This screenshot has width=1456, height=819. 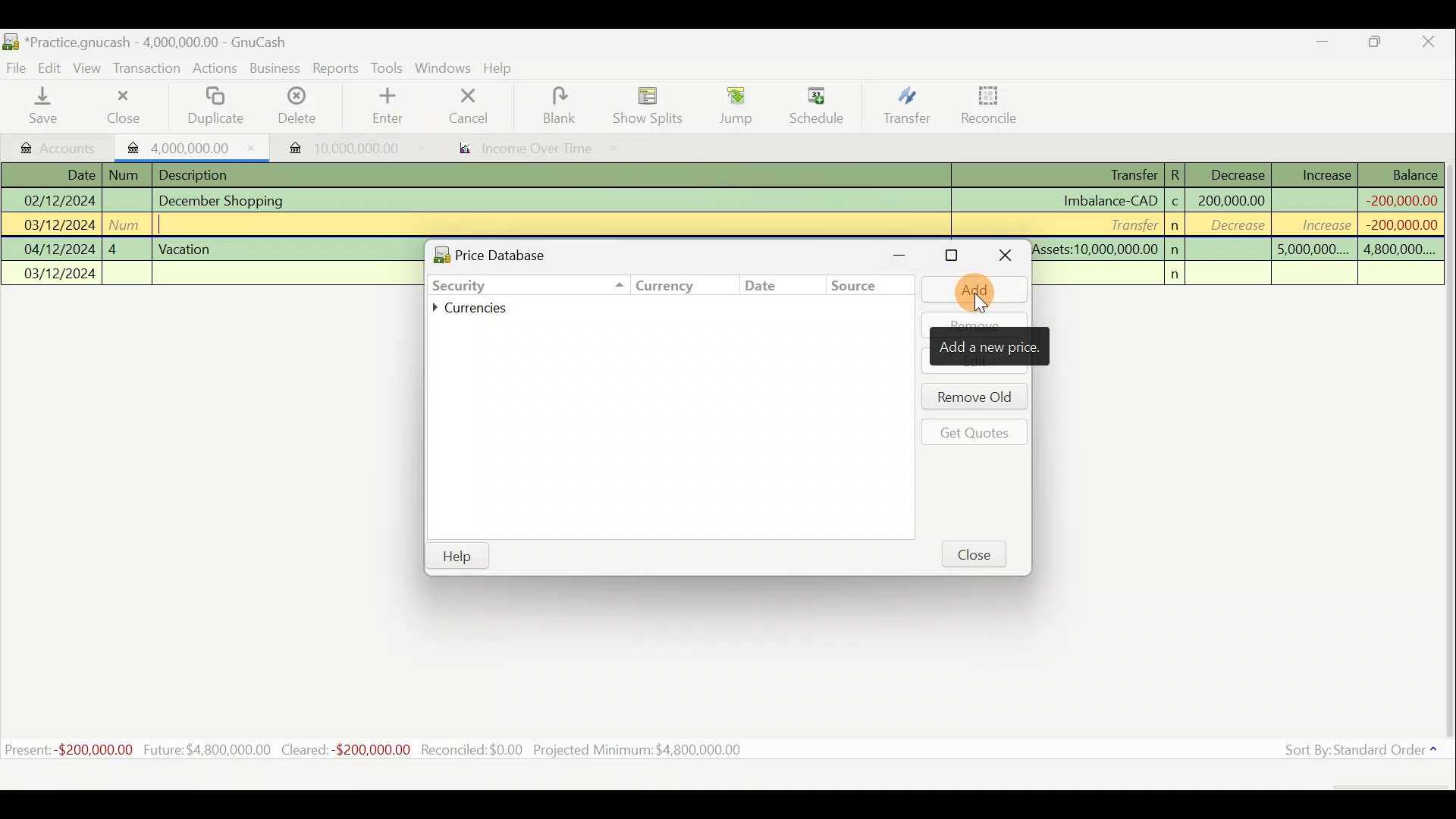 What do you see at coordinates (126, 247) in the screenshot?
I see `4` at bounding box center [126, 247].